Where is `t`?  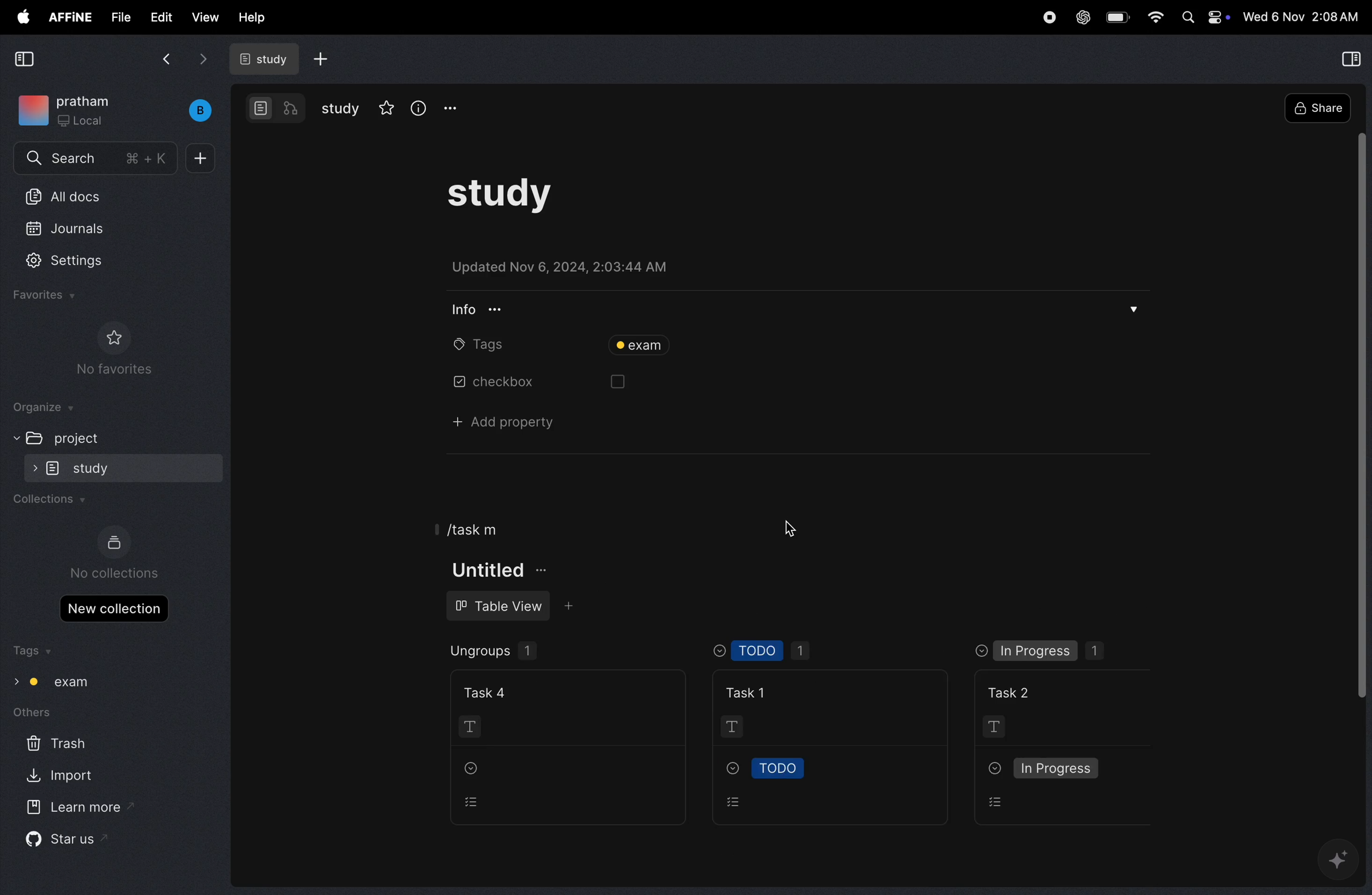
t is located at coordinates (734, 728).